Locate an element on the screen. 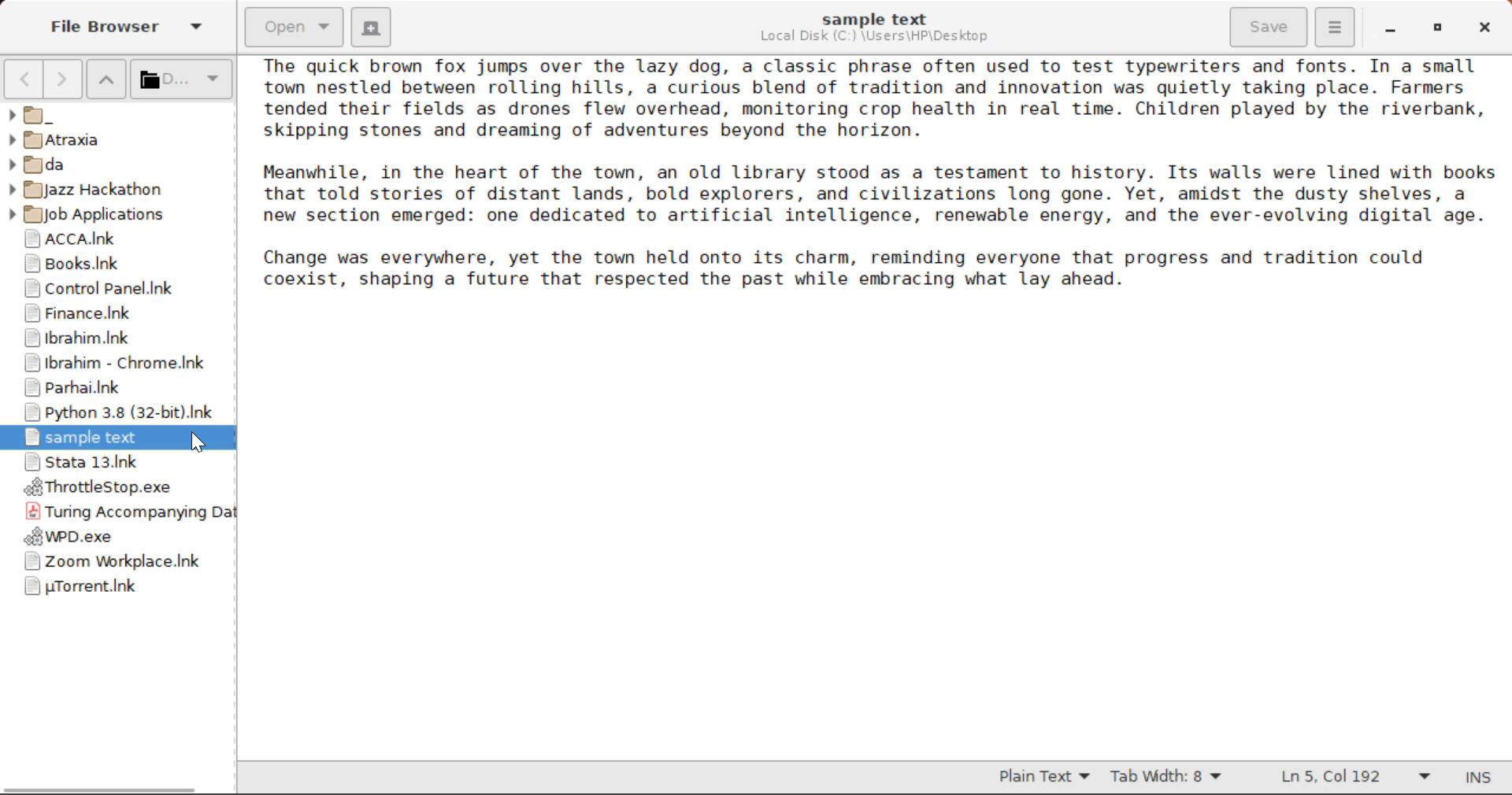  Zoom Application  is located at coordinates (113, 562).